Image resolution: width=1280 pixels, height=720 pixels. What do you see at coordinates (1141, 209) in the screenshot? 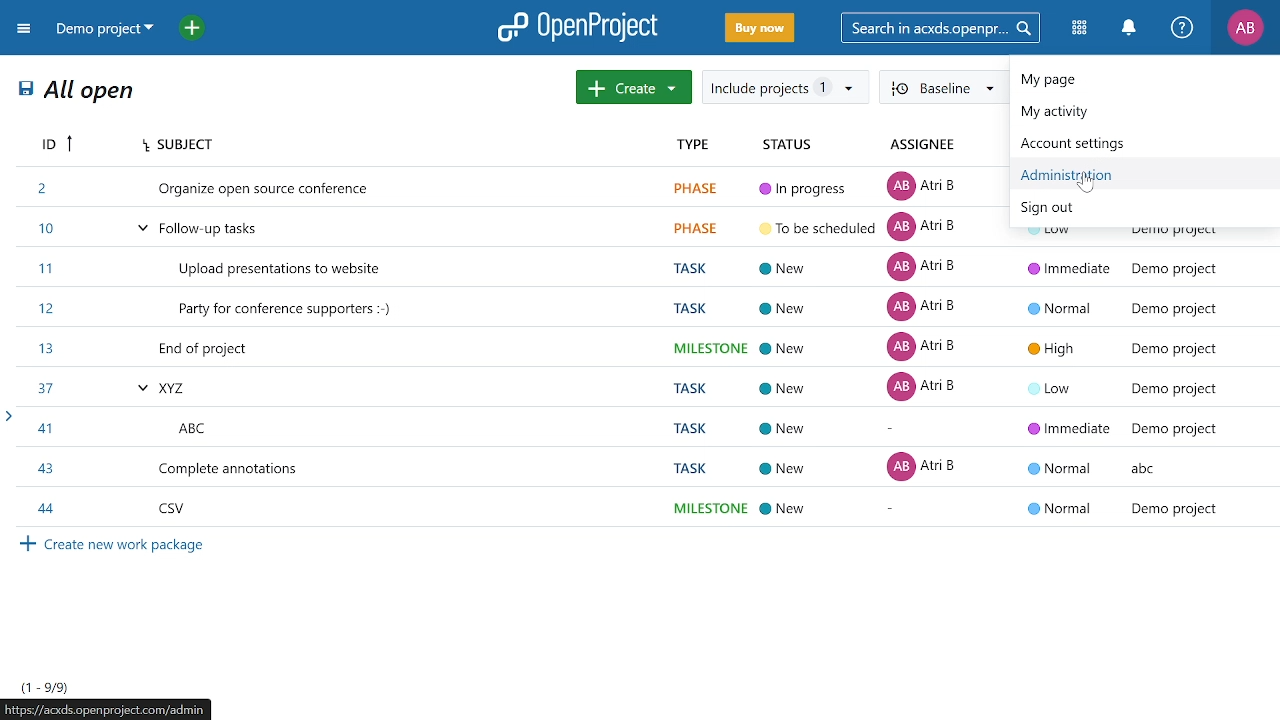
I see `sign out` at bounding box center [1141, 209].